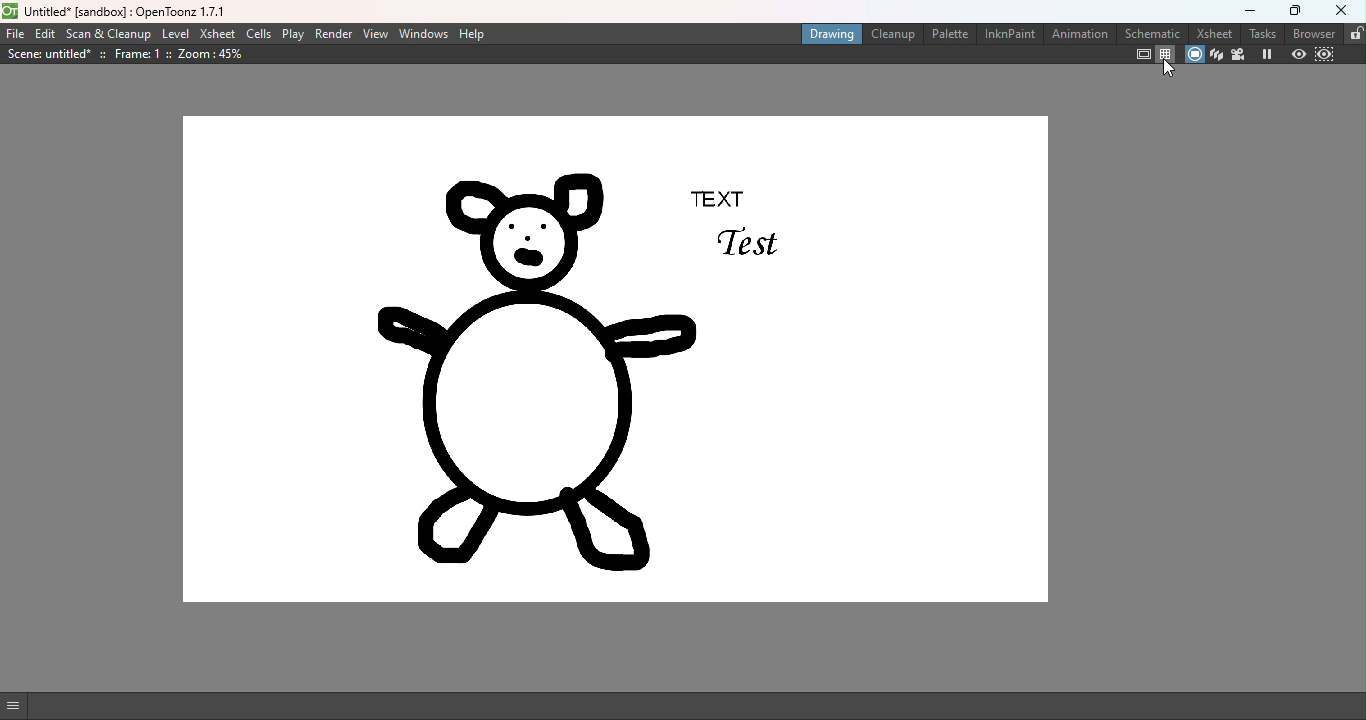  What do you see at coordinates (1214, 33) in the screenshot?
I see `Xsheets` at bounding box center [1214, 33].